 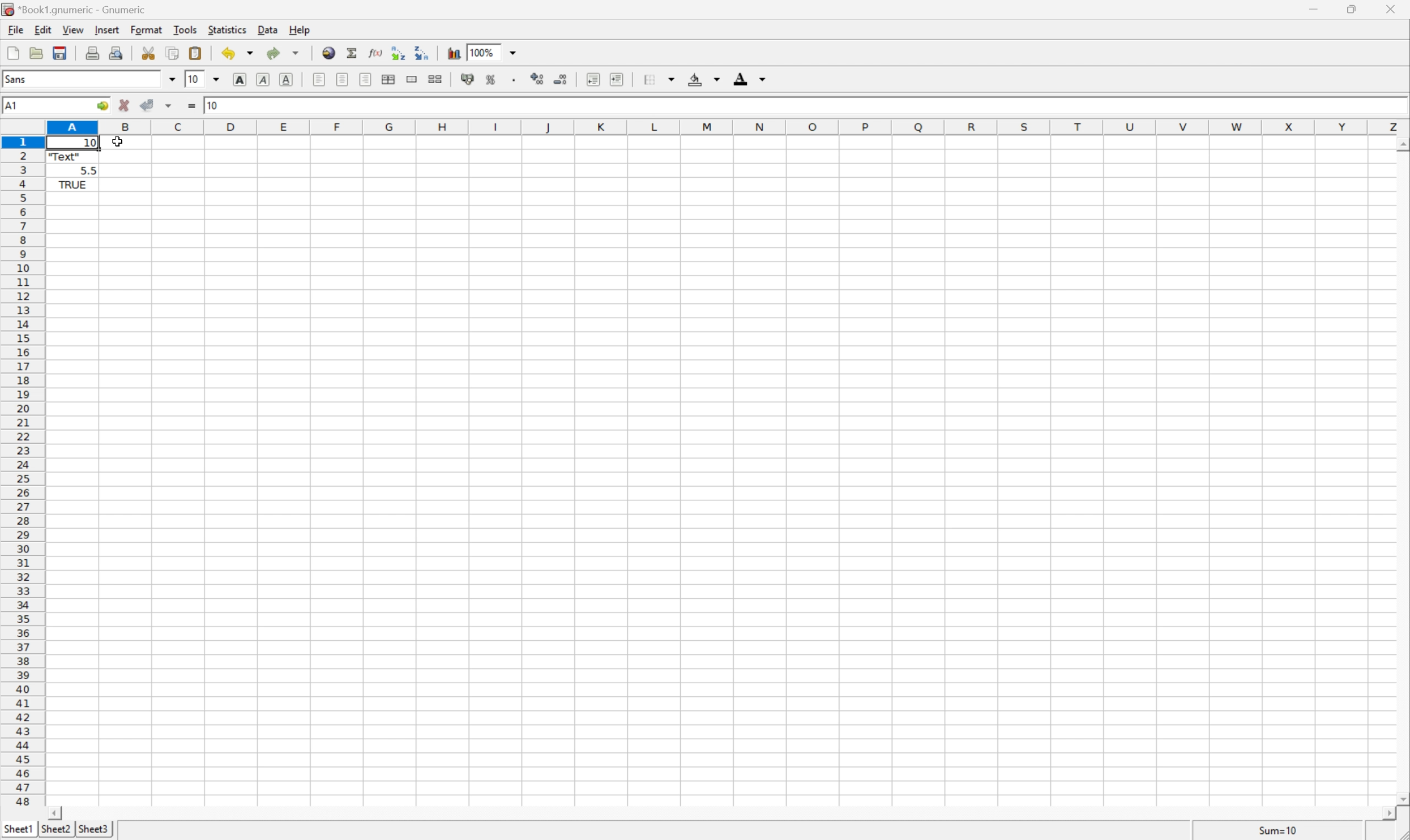 I want to click on Format selection as percentage, so click(x=490, y=79).